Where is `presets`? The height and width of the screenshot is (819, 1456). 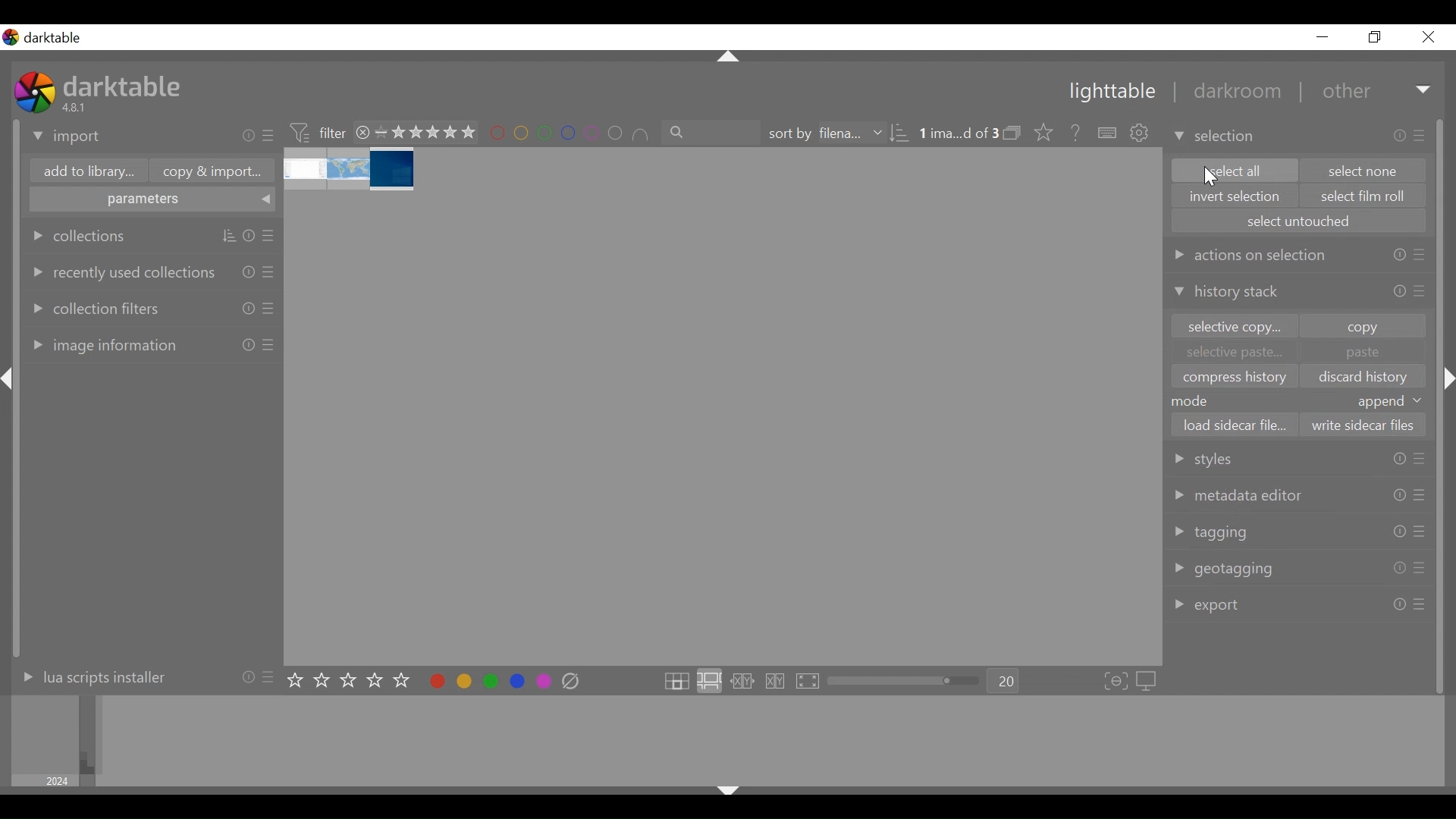 presets is located at coordinates (268, 345).